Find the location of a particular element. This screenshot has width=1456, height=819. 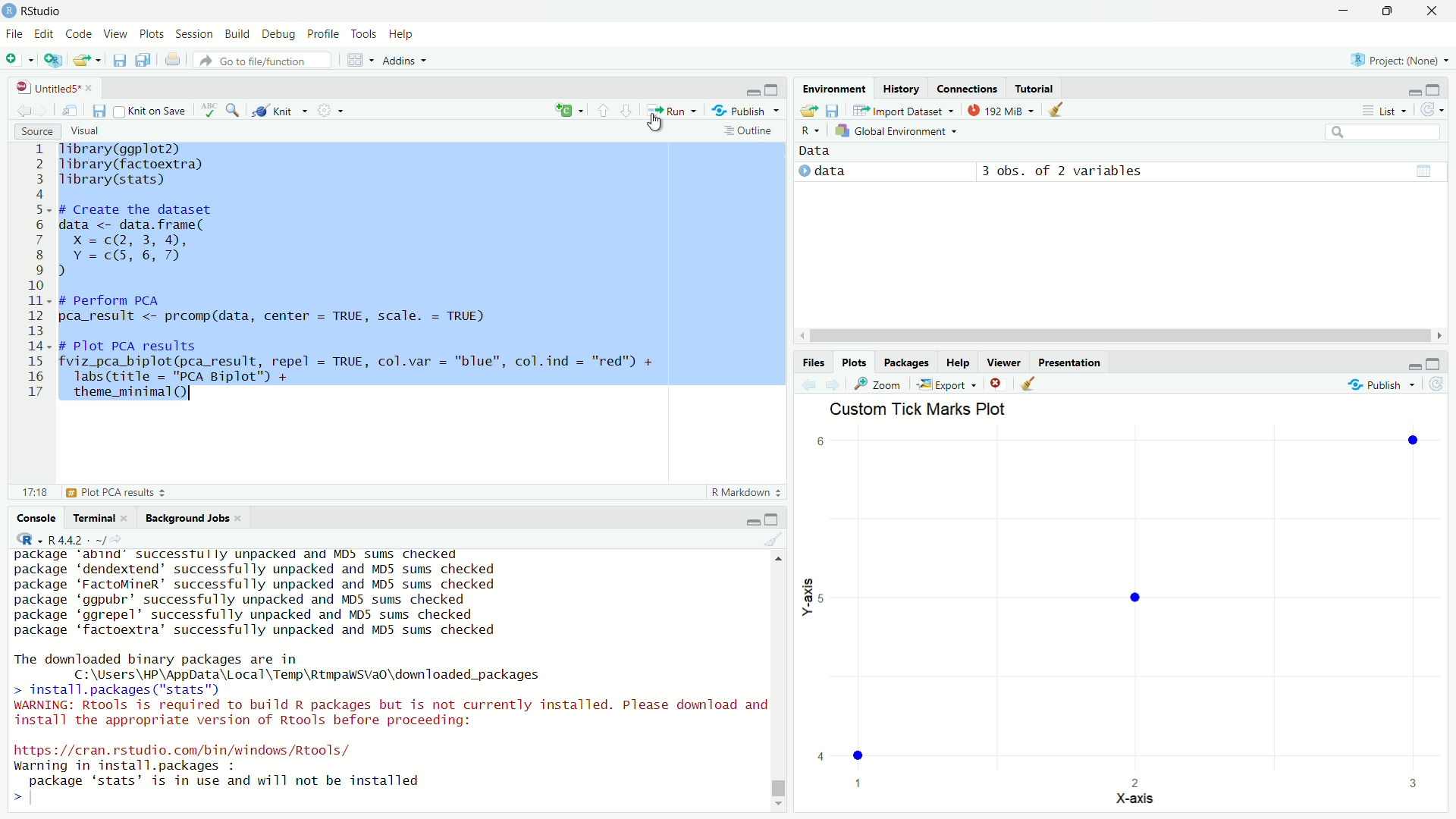

Maximize is located at coordinates (1385, 11).